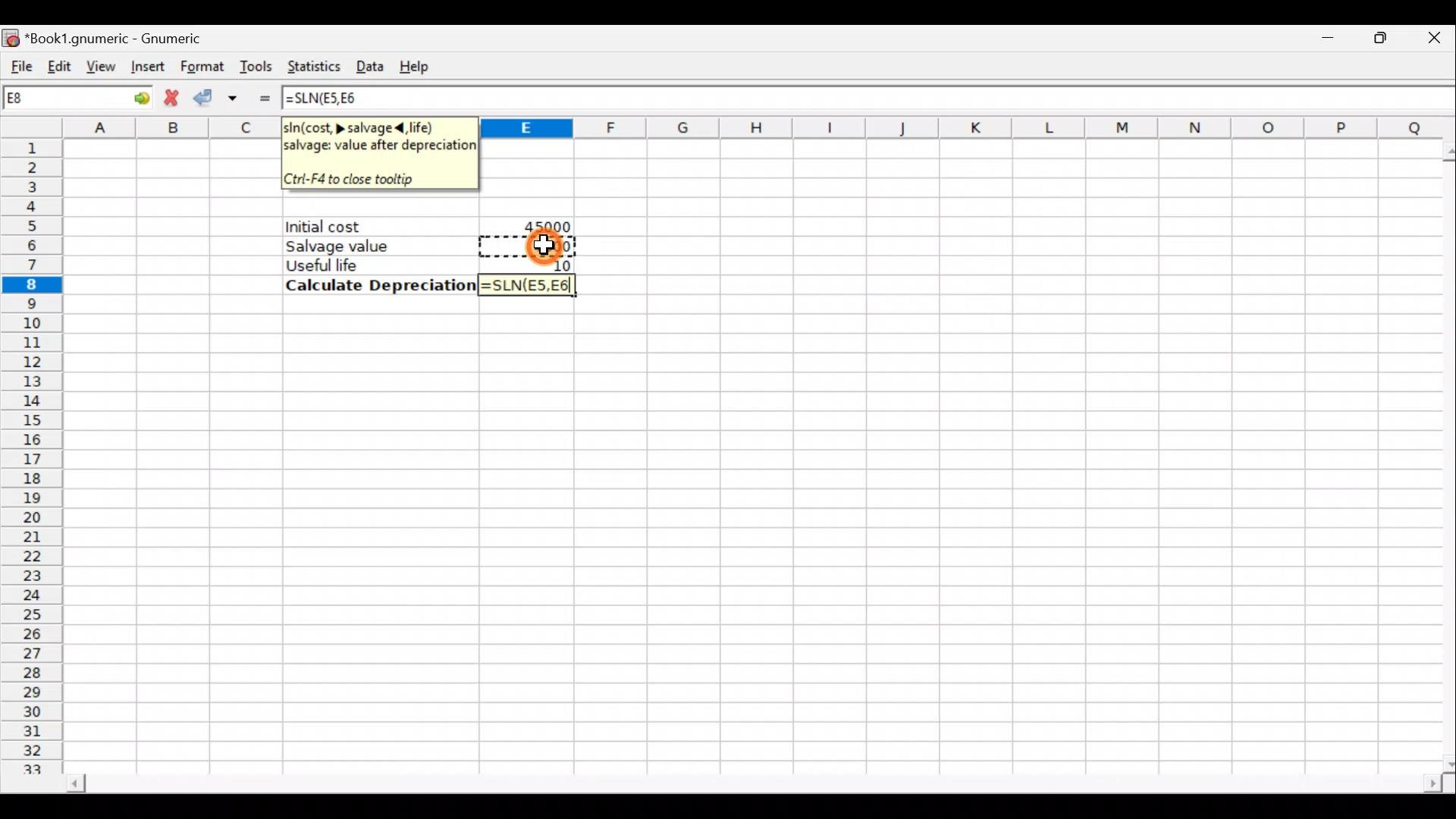 The height and width of the screenshot is (819, 1456). Describe the element at coordinates (545, 246) in the screenshot. I see `7500` at that location.